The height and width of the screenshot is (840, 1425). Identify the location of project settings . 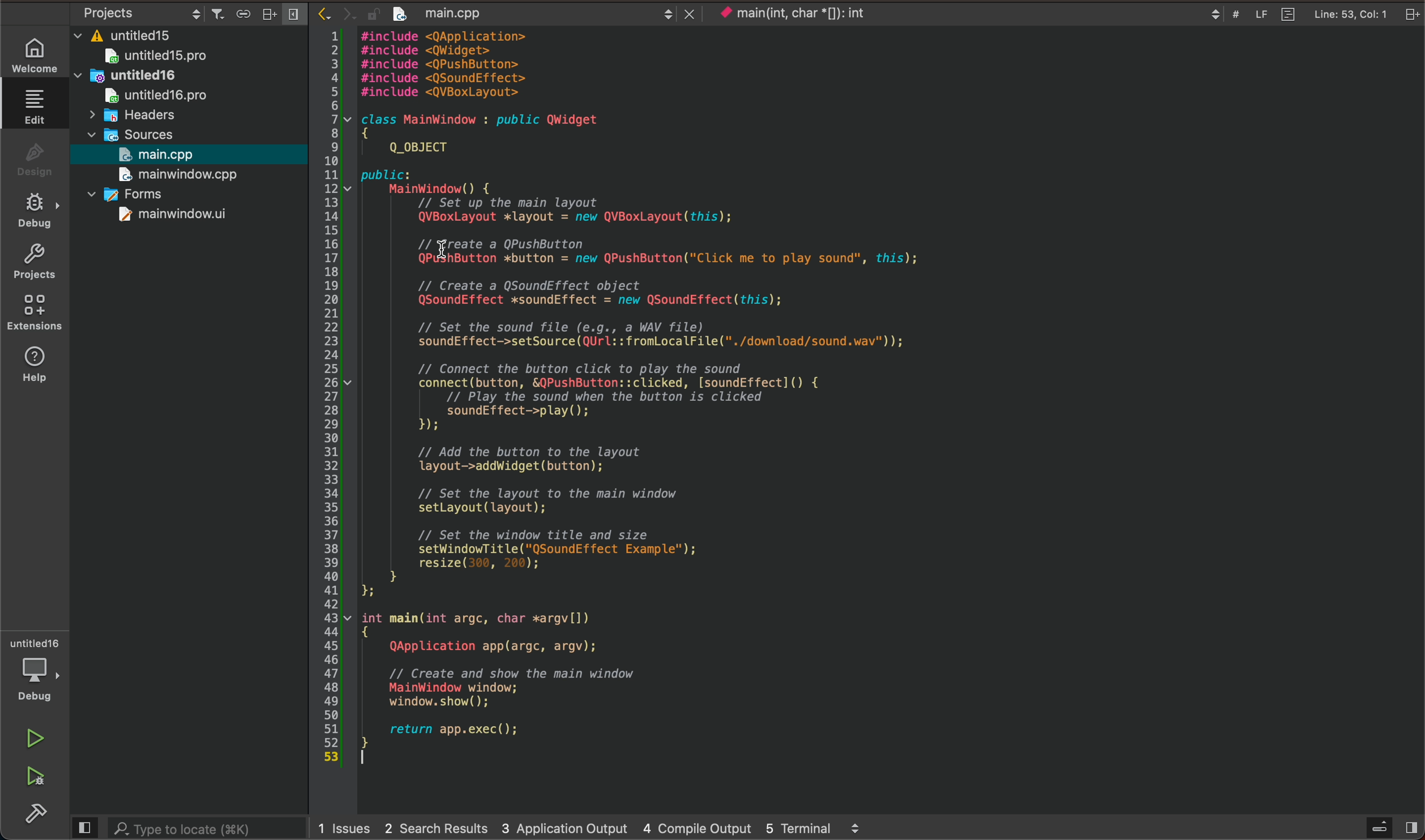
(187, 11).